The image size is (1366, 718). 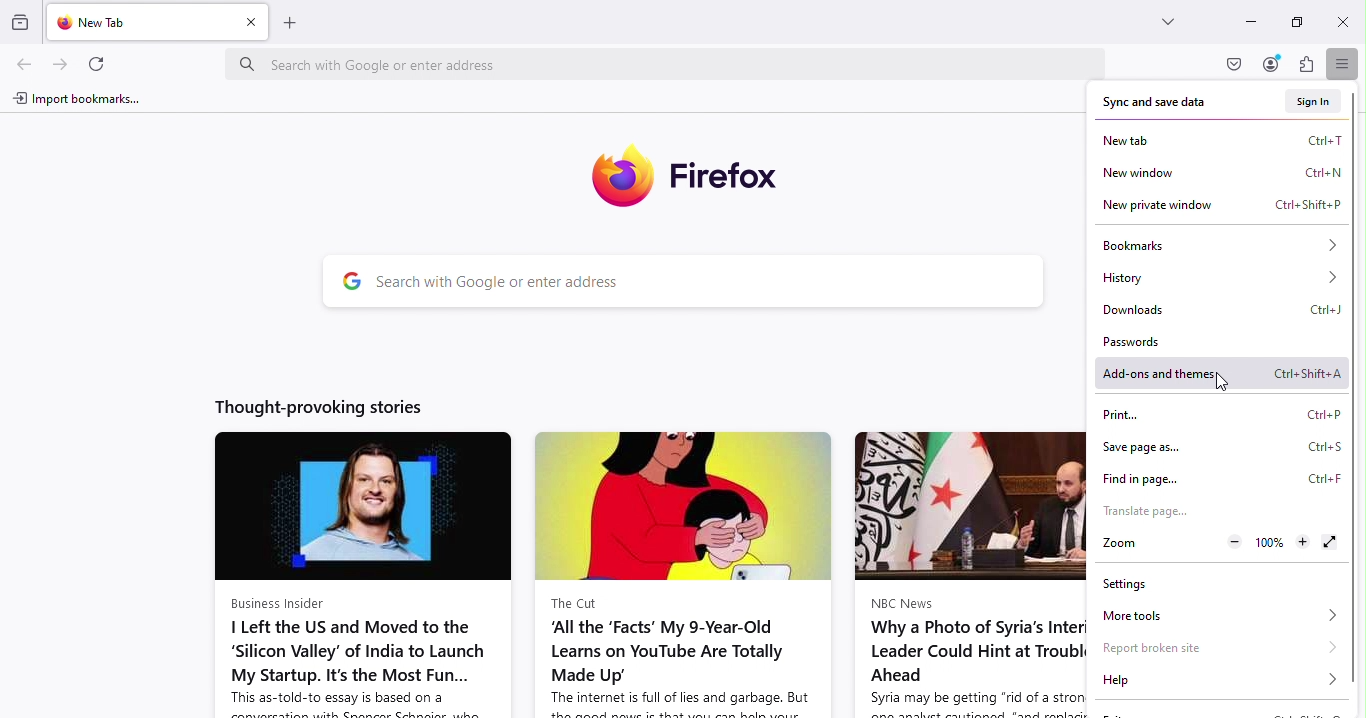 What do you see at coordinates (1341, 62) in the screenshot?
I see `Open application menu` at bounding box center [1341, 62].